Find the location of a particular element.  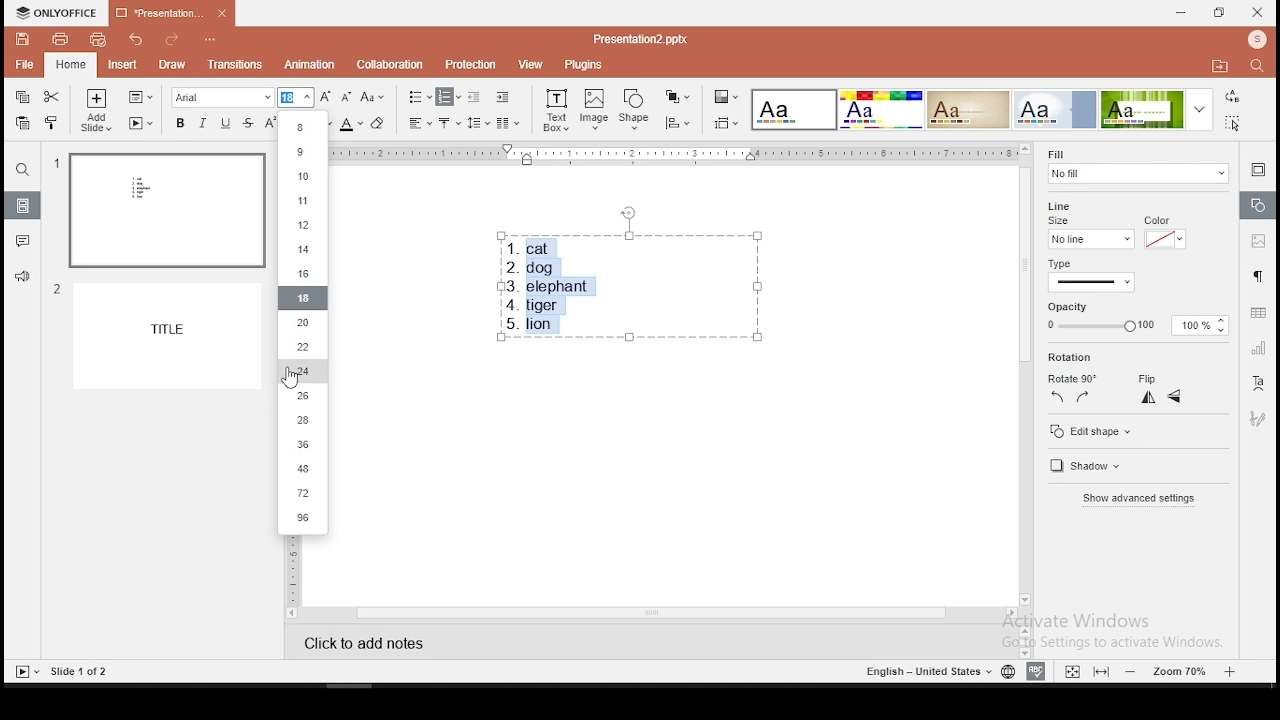

spacing is located at coordinates (478, 123).